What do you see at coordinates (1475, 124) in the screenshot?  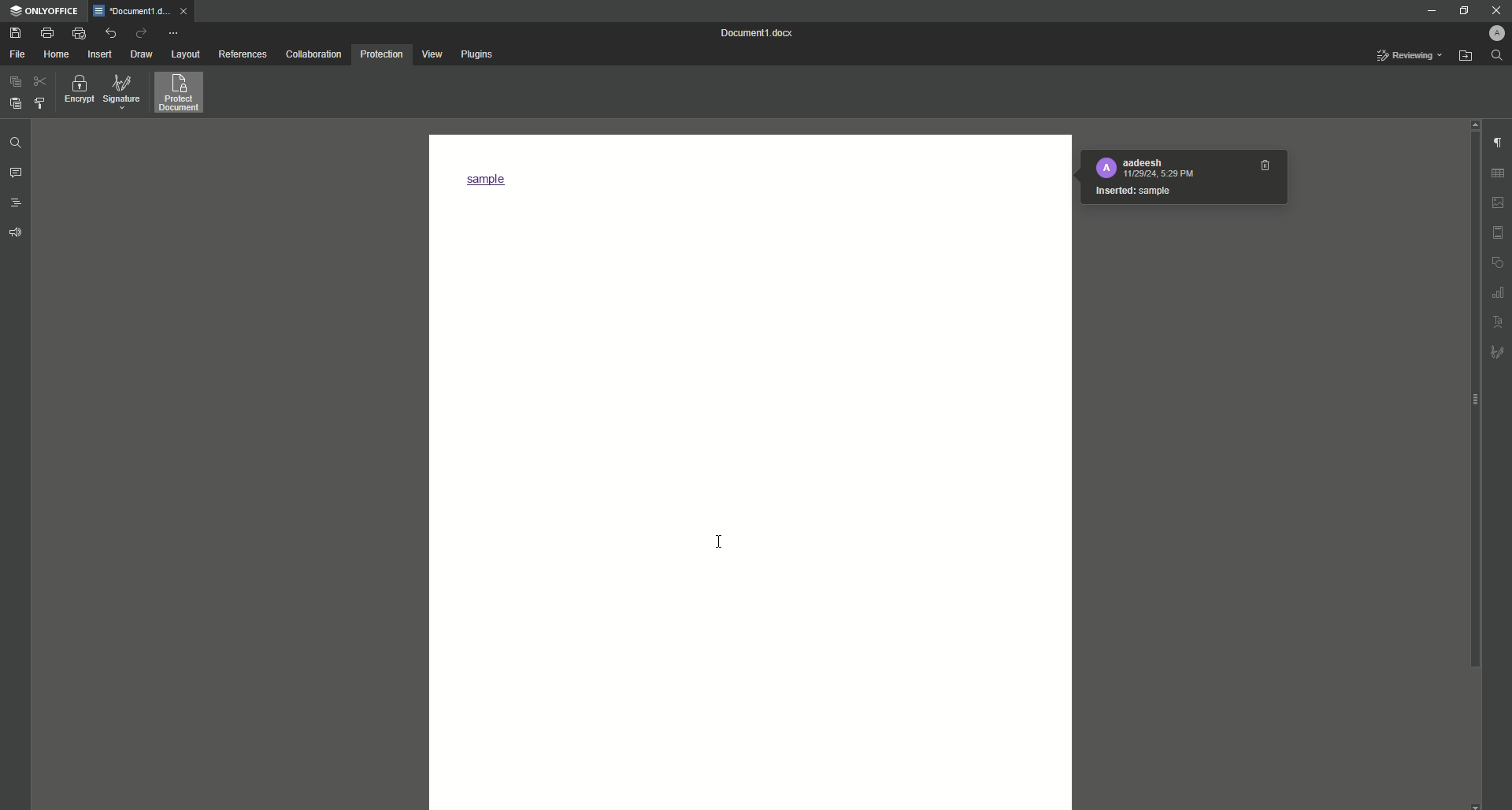 I see `scroll up` at bounding box center [1475, 124].